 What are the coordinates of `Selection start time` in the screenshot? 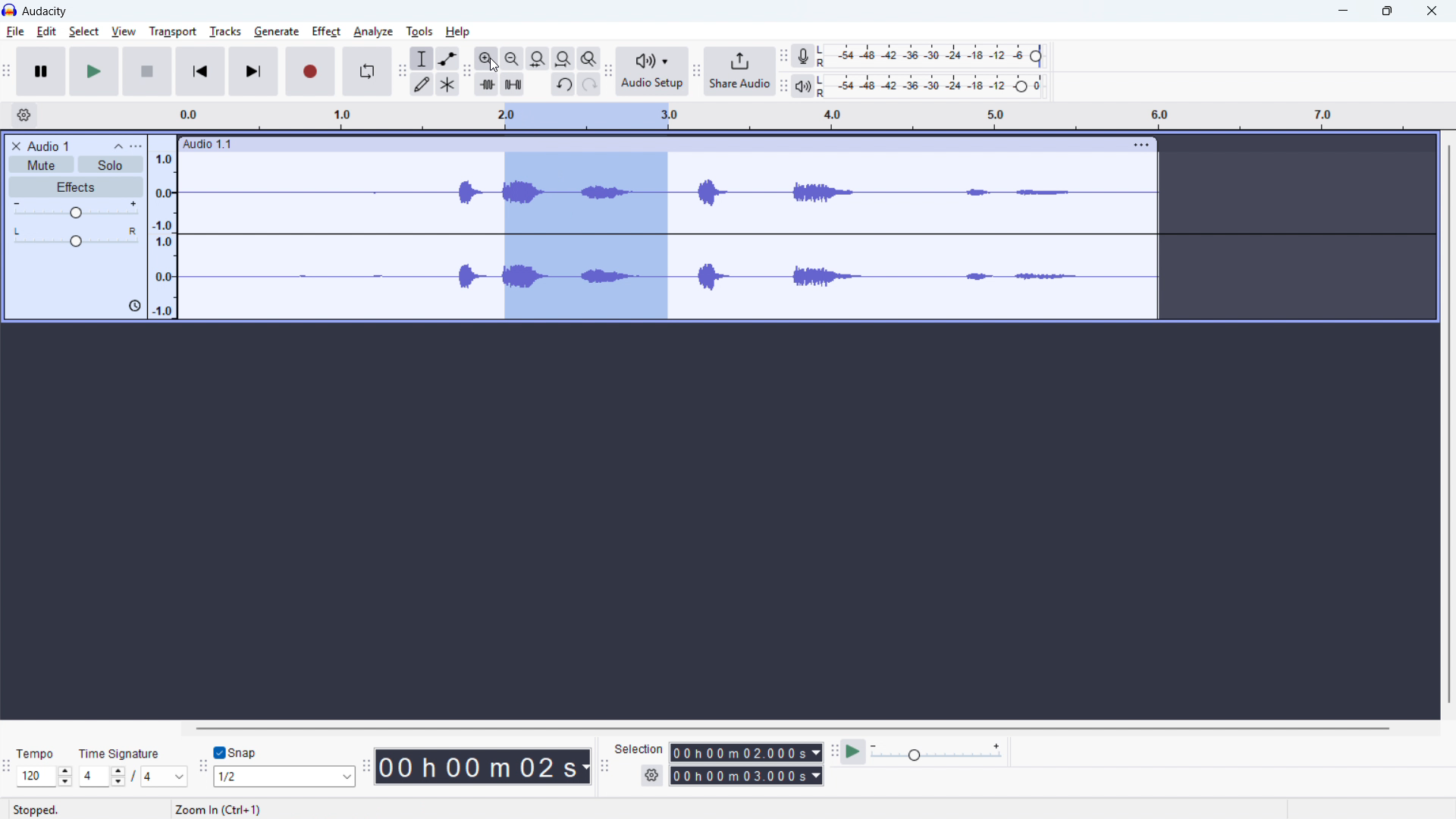 It's located at (747, 752).